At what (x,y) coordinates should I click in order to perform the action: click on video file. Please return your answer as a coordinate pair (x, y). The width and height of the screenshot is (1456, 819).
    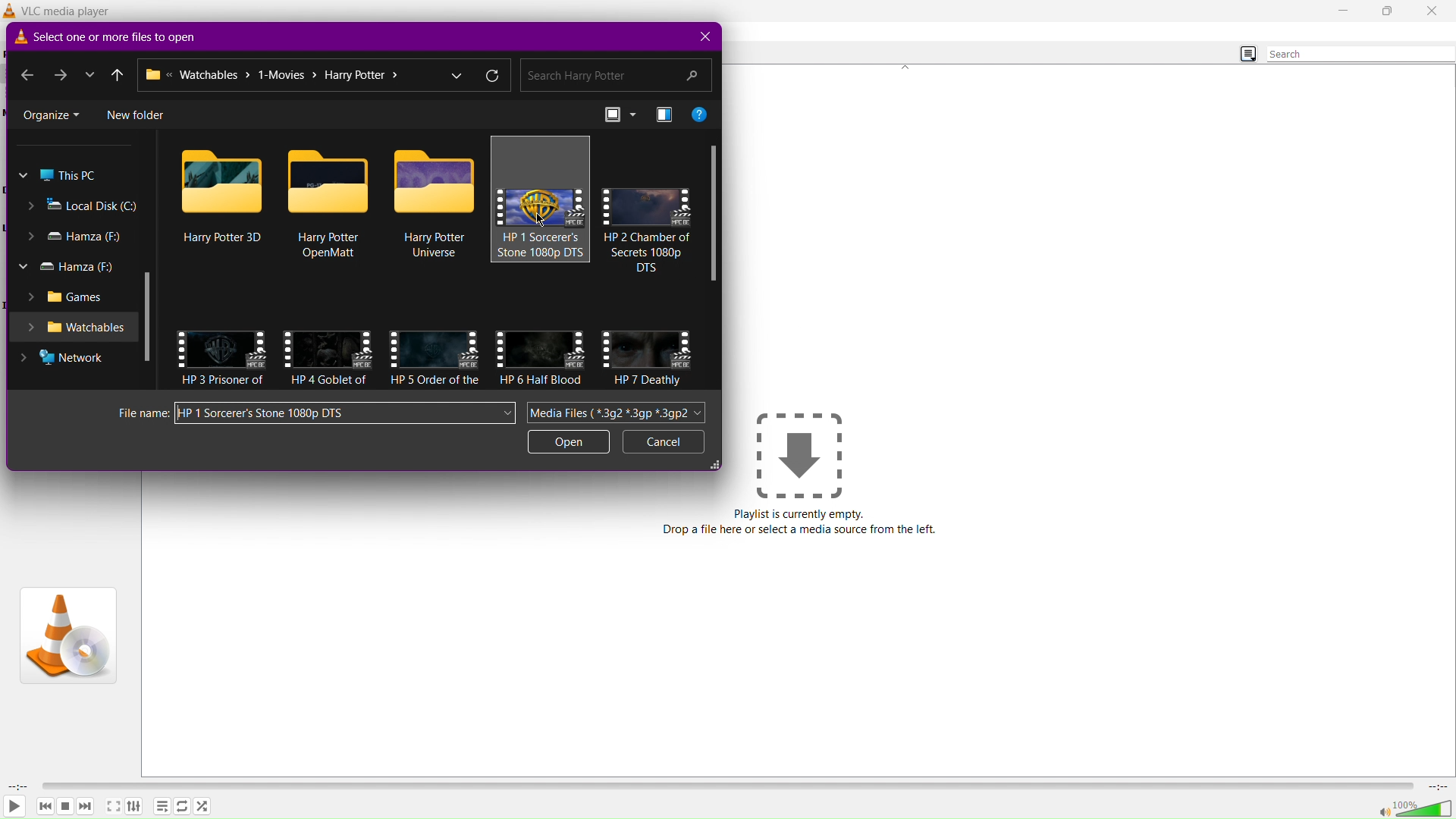
    Looking at the image, I should click on (648, 206).